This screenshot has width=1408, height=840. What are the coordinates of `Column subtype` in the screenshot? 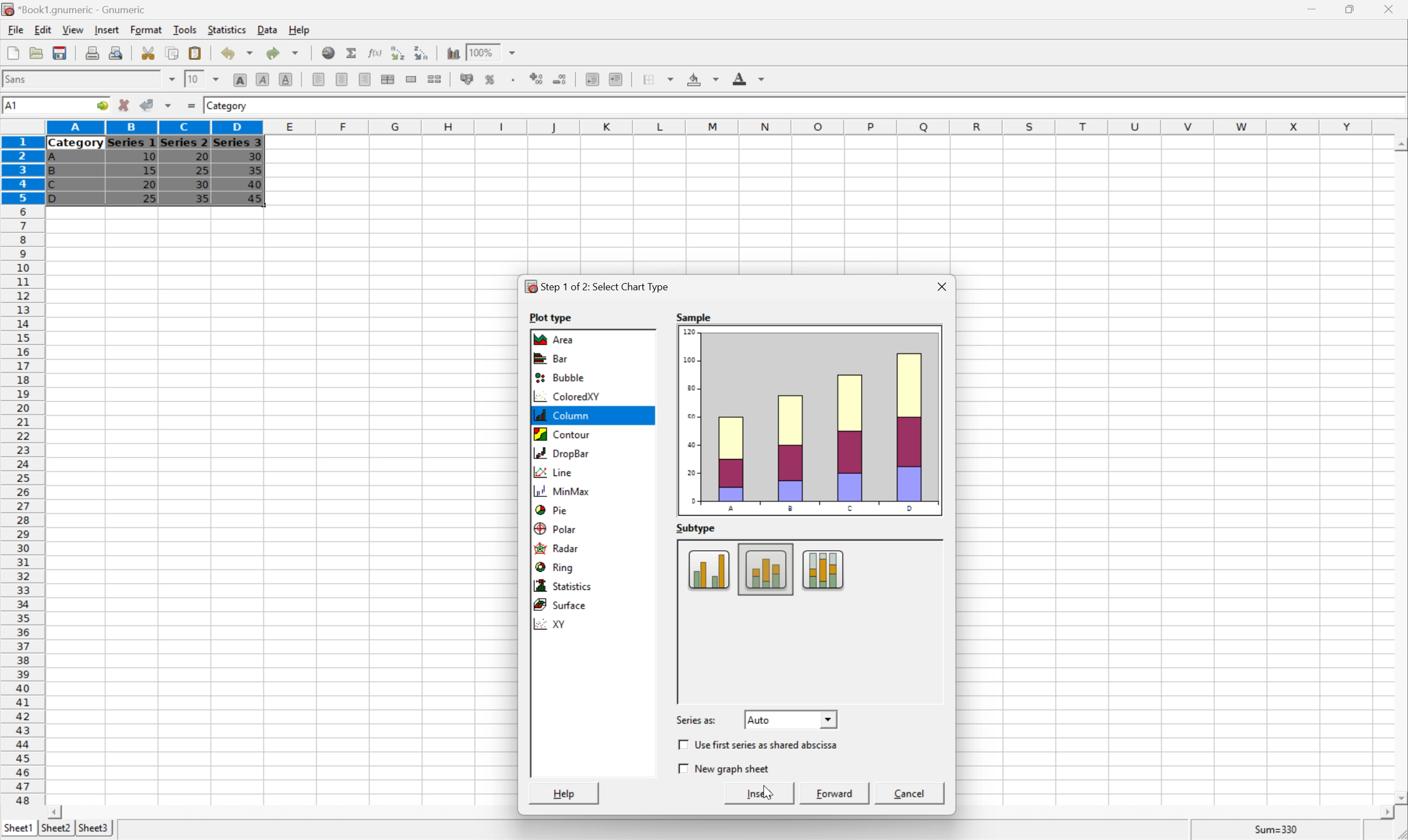 It's located at (708, 569).